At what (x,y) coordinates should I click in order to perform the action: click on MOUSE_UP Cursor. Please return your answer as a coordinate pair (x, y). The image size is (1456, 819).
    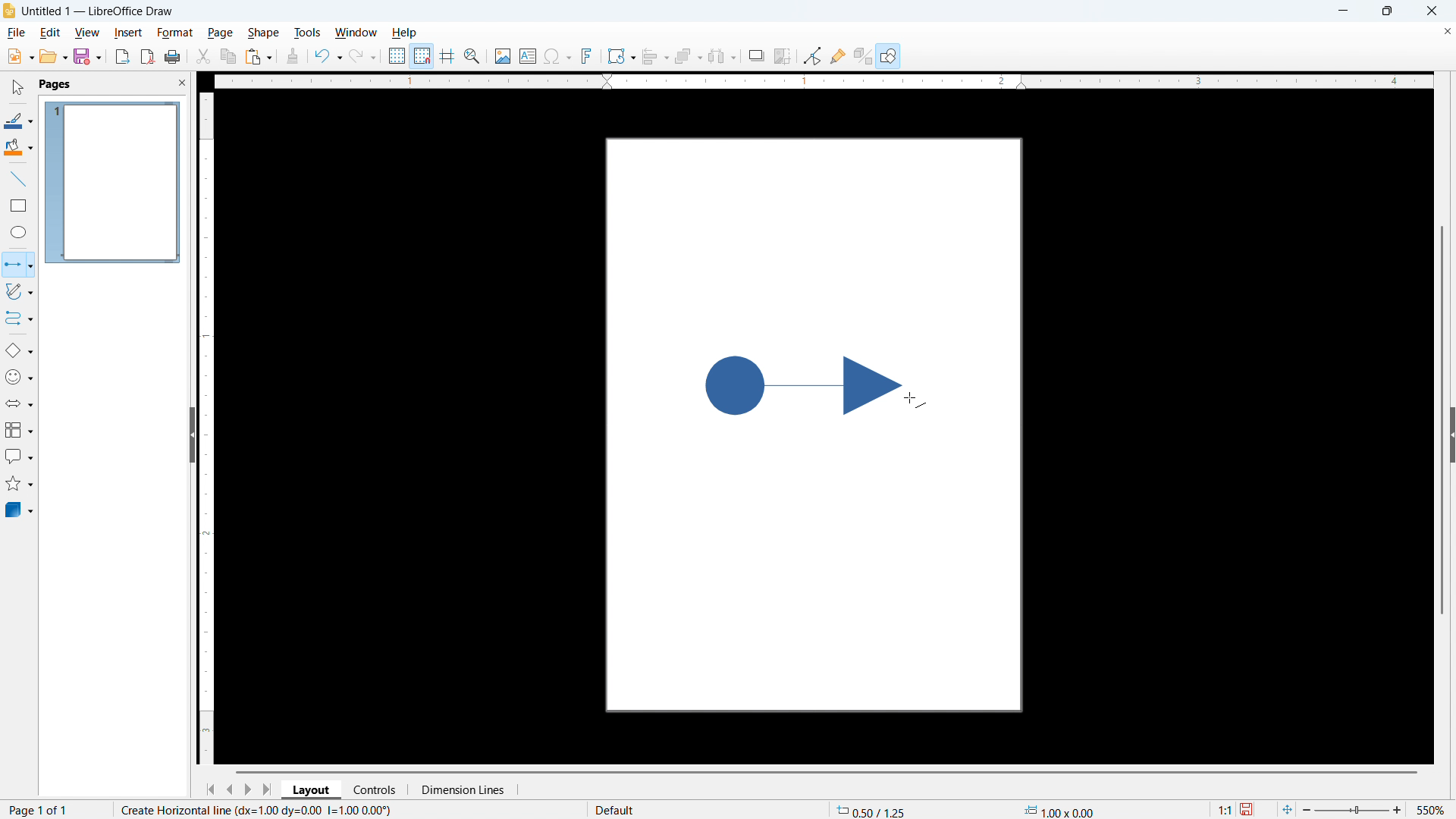
    Looking at the image, I should click on (914, 400).